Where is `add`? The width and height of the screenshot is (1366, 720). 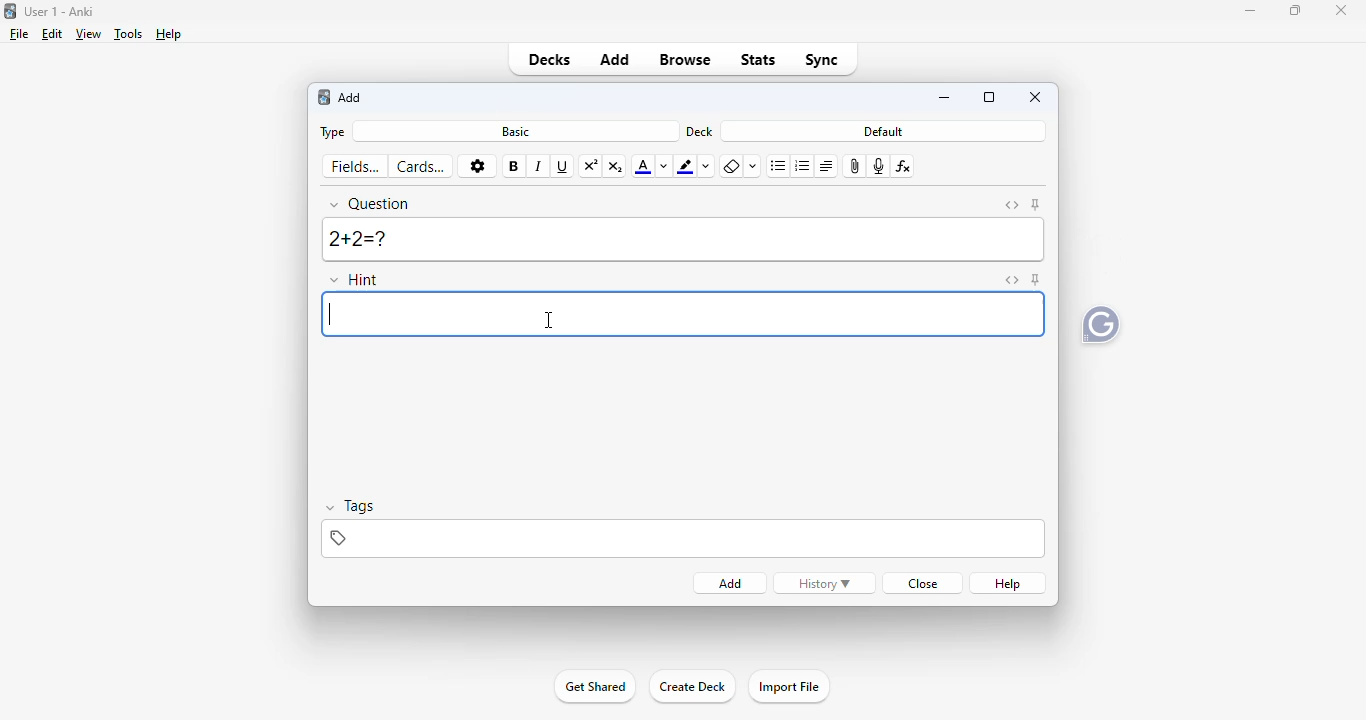
add is located at coordinates (732, 584).